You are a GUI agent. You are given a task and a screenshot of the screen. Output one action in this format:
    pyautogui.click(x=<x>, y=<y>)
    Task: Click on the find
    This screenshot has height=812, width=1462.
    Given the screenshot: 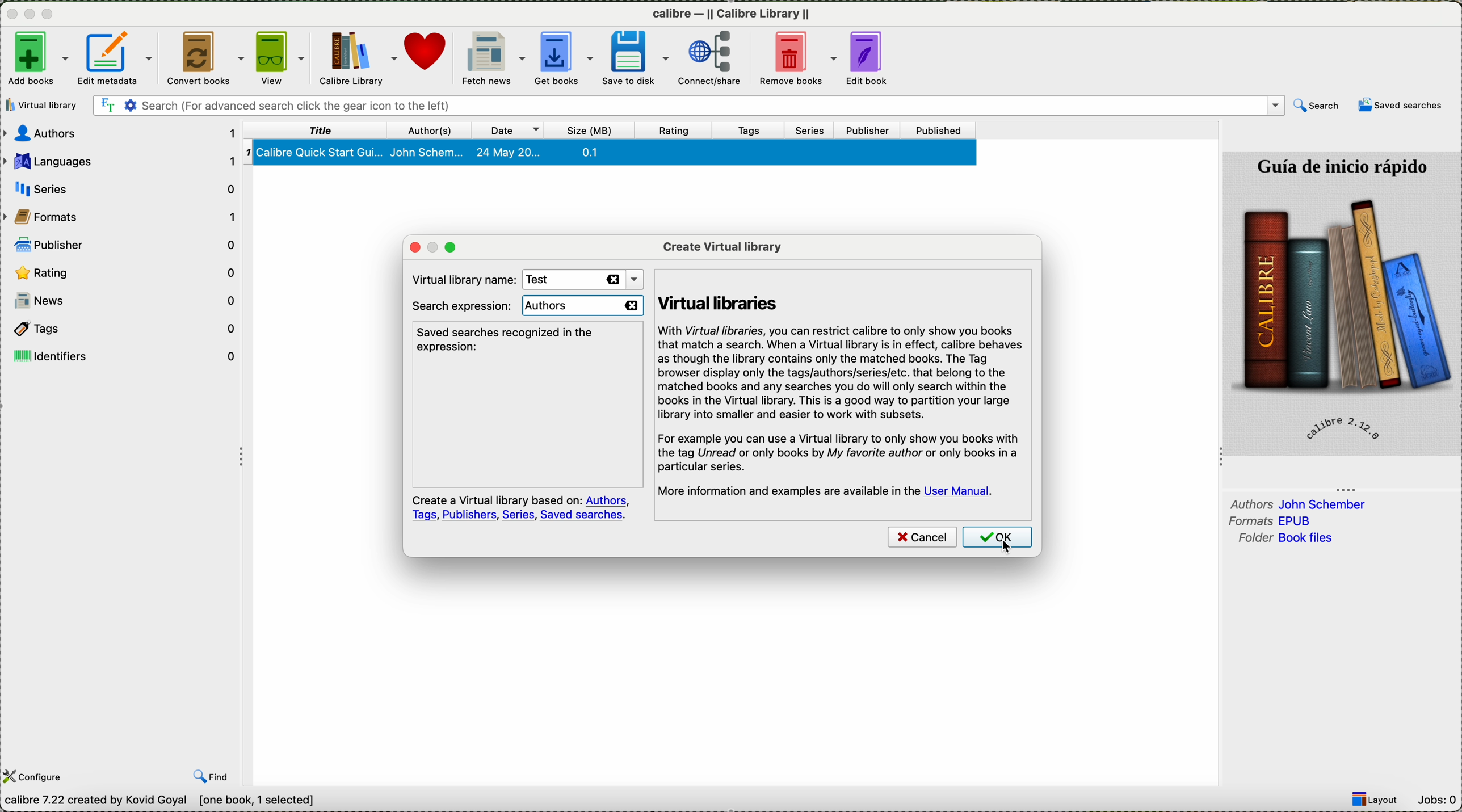 What is the action you would take?
    pyautogui.click(x=213, y=777)
    